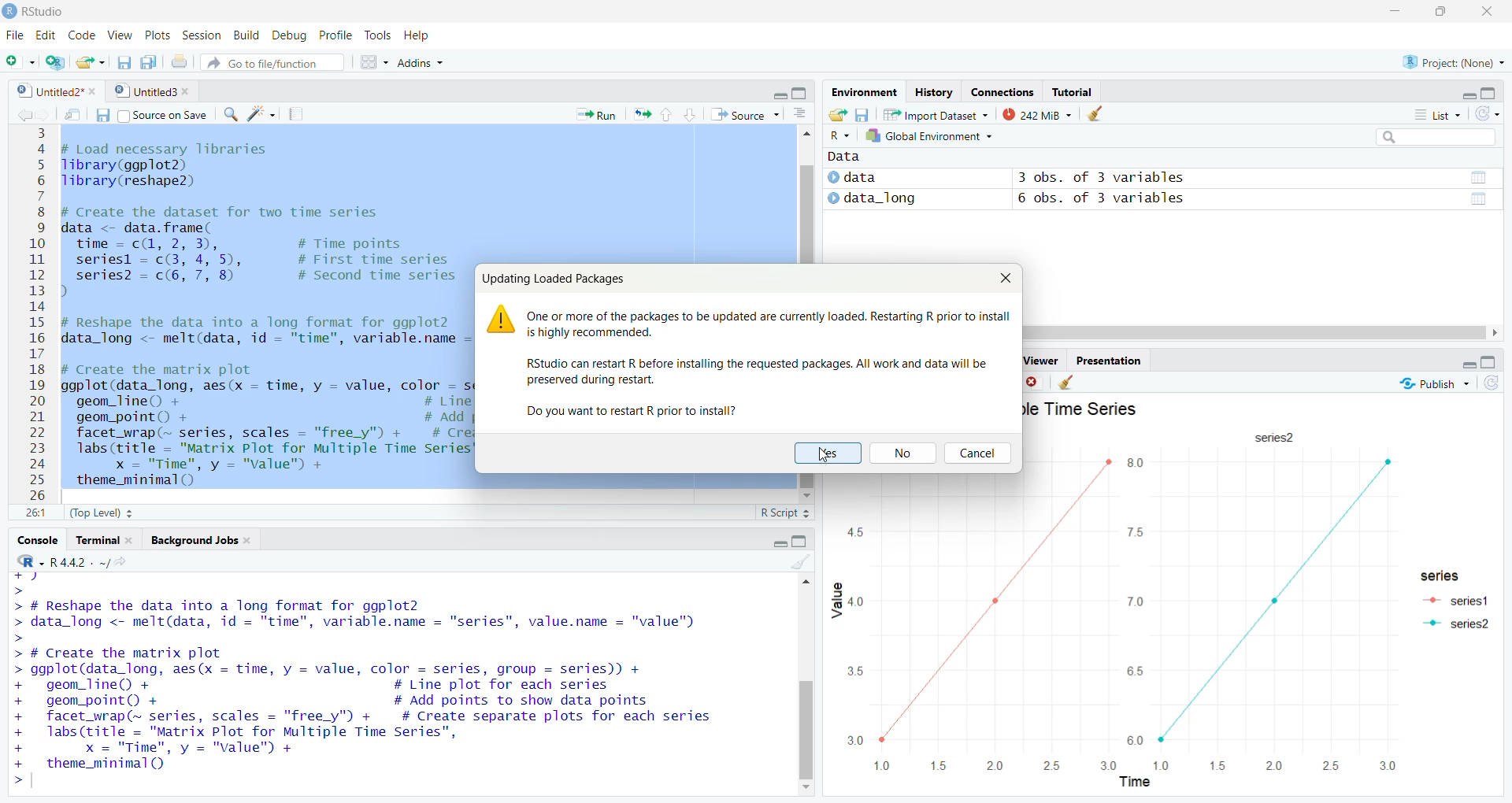 The width and height of the screenshot is (1512, 803). What do you see at coordinates (291, 35) in the screenshot?
I see `Debug` at bounding box center [291, 35].